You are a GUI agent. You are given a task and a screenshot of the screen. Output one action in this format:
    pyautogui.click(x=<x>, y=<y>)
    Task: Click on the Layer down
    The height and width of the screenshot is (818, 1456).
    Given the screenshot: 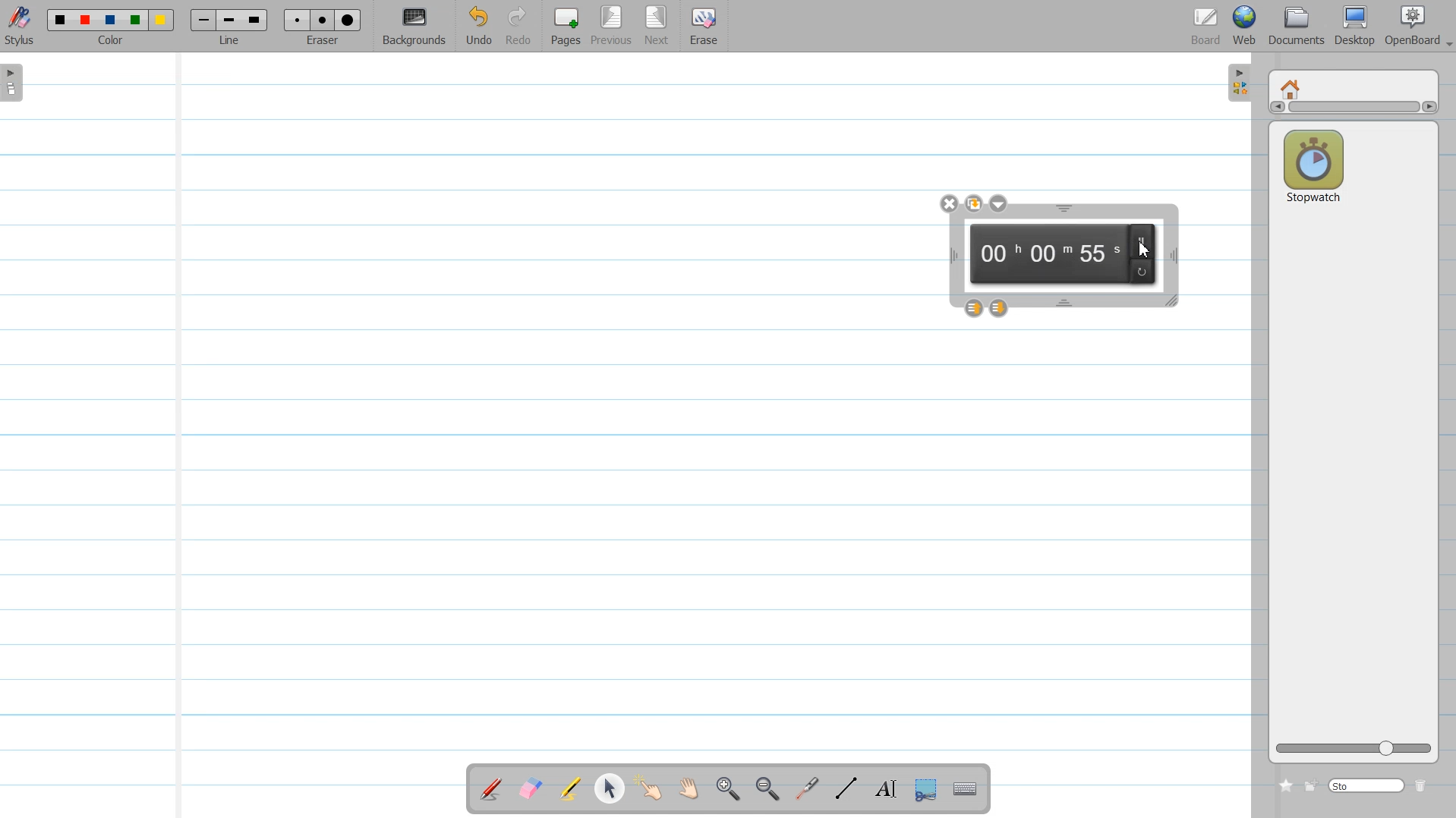 What is the action you would take?
    pyautogui.click(x=1001, y=307)
    